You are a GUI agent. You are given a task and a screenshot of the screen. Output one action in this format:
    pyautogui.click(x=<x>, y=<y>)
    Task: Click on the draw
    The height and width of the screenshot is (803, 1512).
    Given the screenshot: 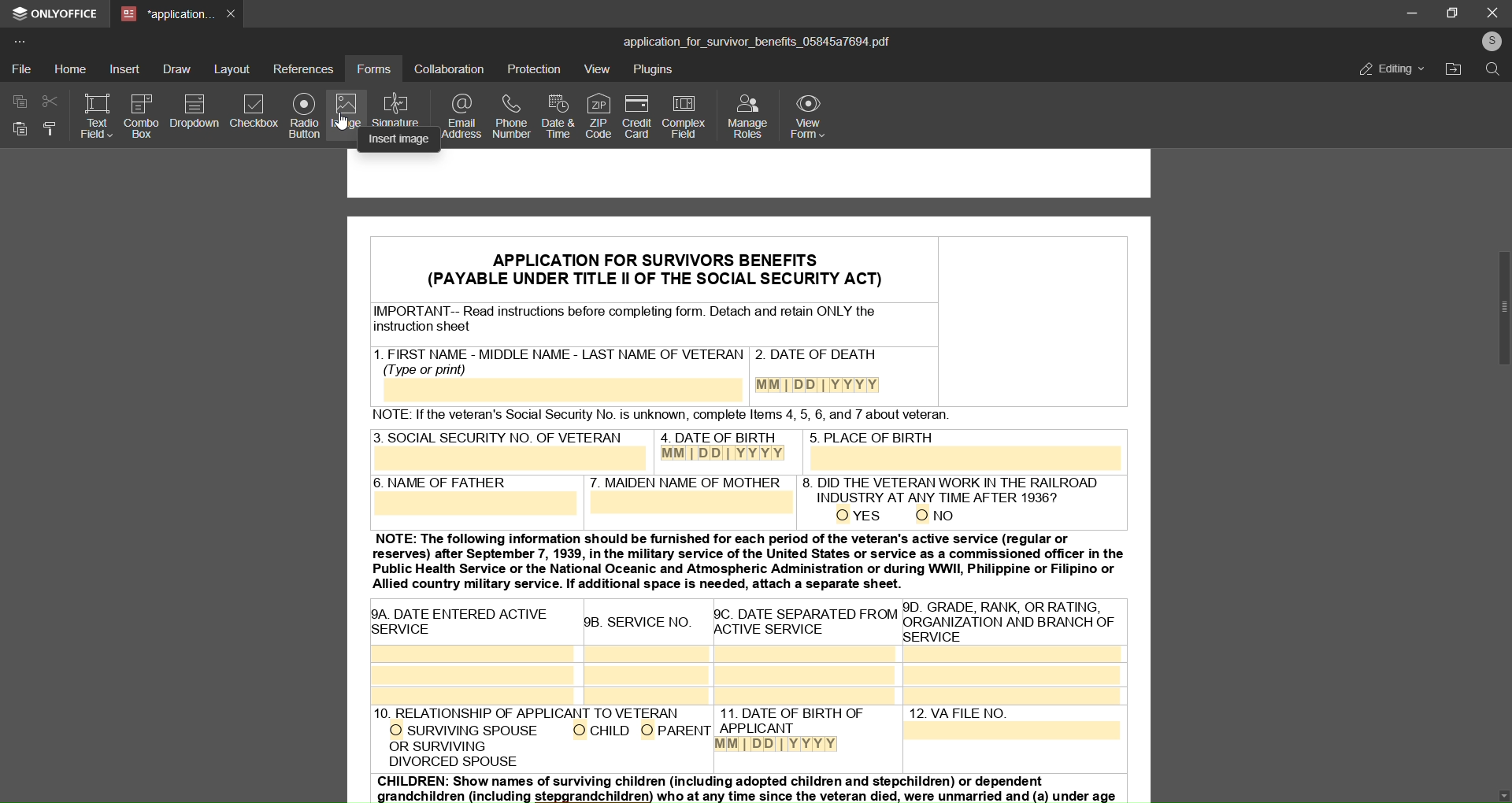 What is the action you would take?
    pyautogui.click(x=176, y=68)
    